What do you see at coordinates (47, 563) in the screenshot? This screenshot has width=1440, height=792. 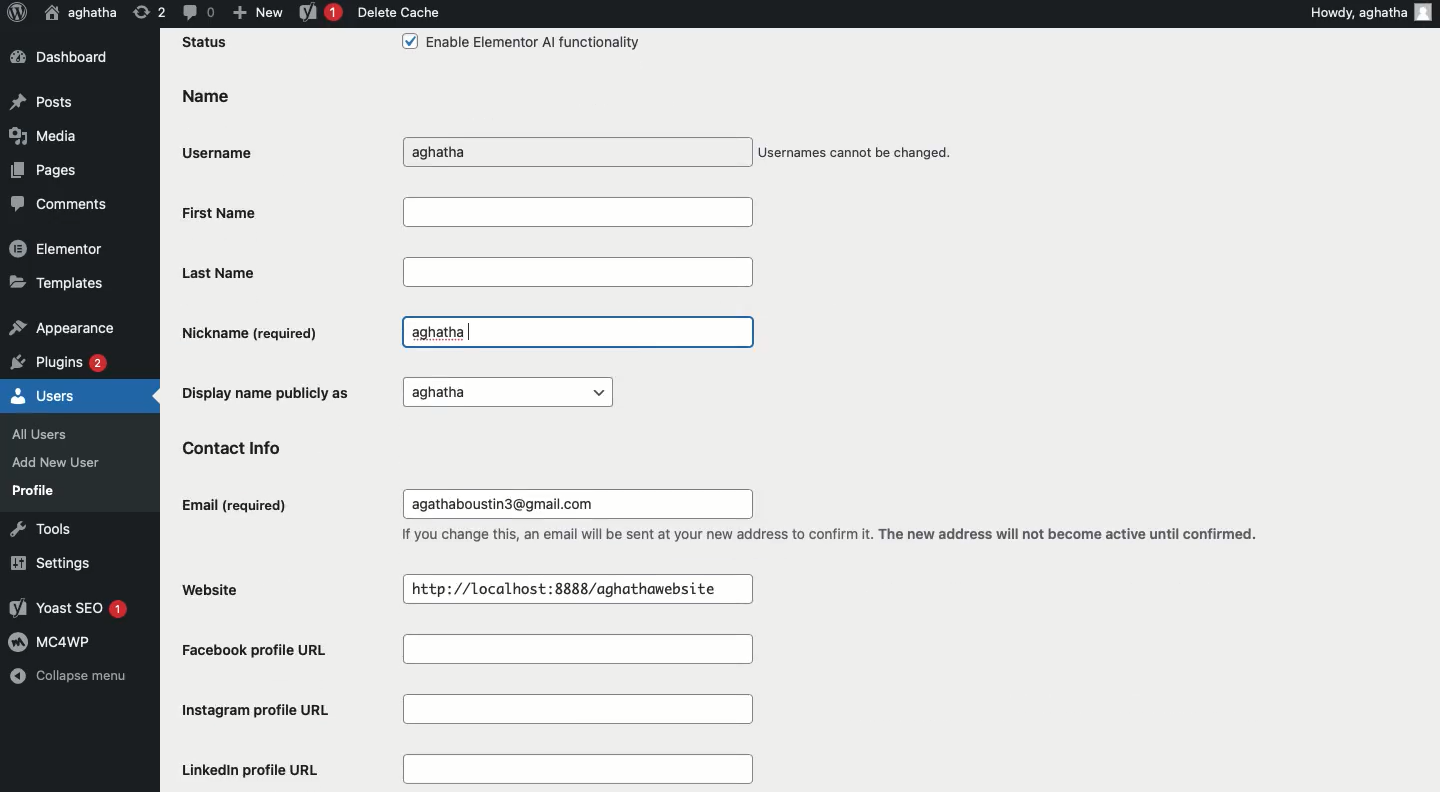 I see `Settings` at bounding box center [47, 563].